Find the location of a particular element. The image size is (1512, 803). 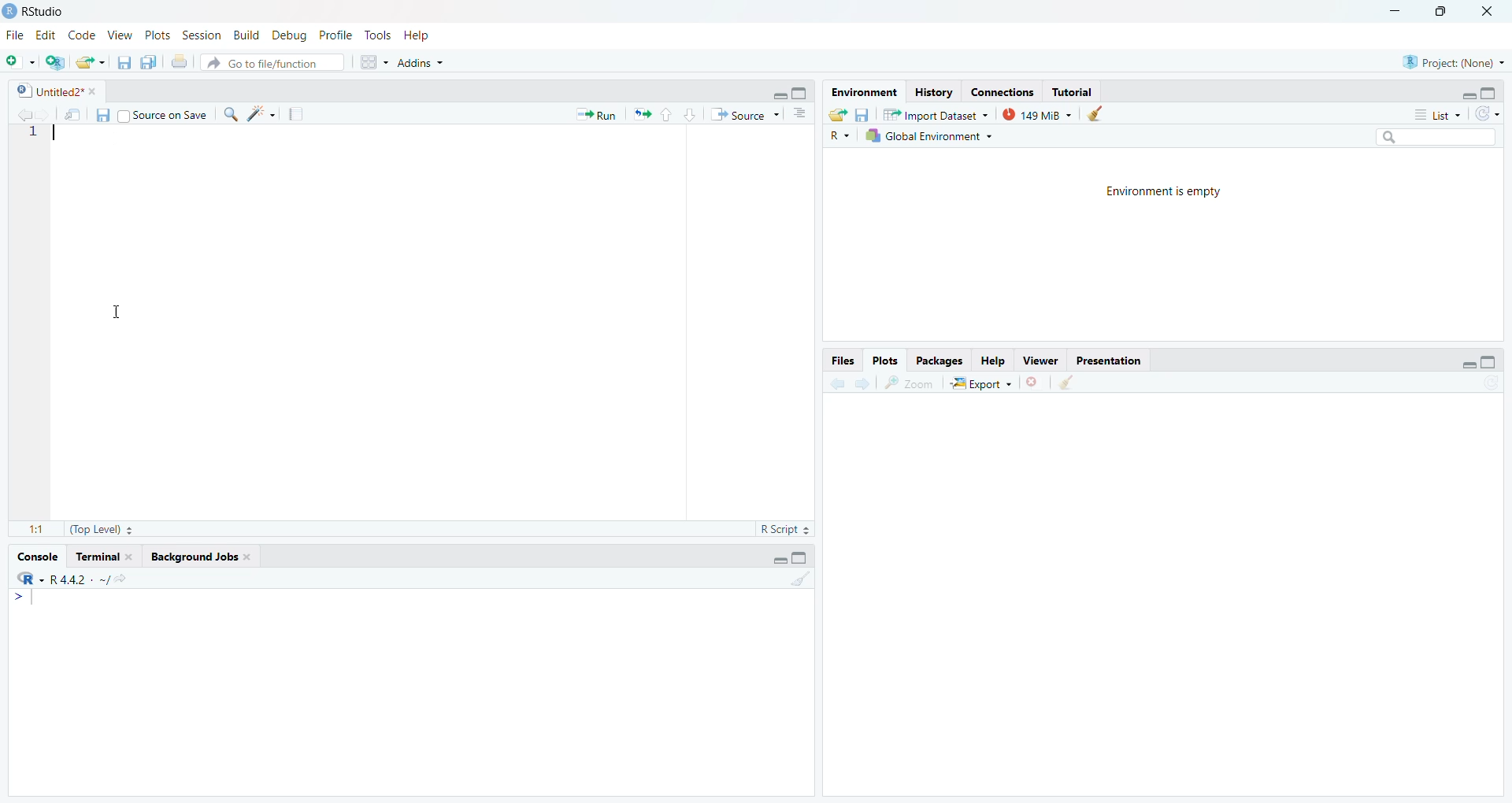

Open an existing file (Ctrl + O) is located at coordinates (91, 63).